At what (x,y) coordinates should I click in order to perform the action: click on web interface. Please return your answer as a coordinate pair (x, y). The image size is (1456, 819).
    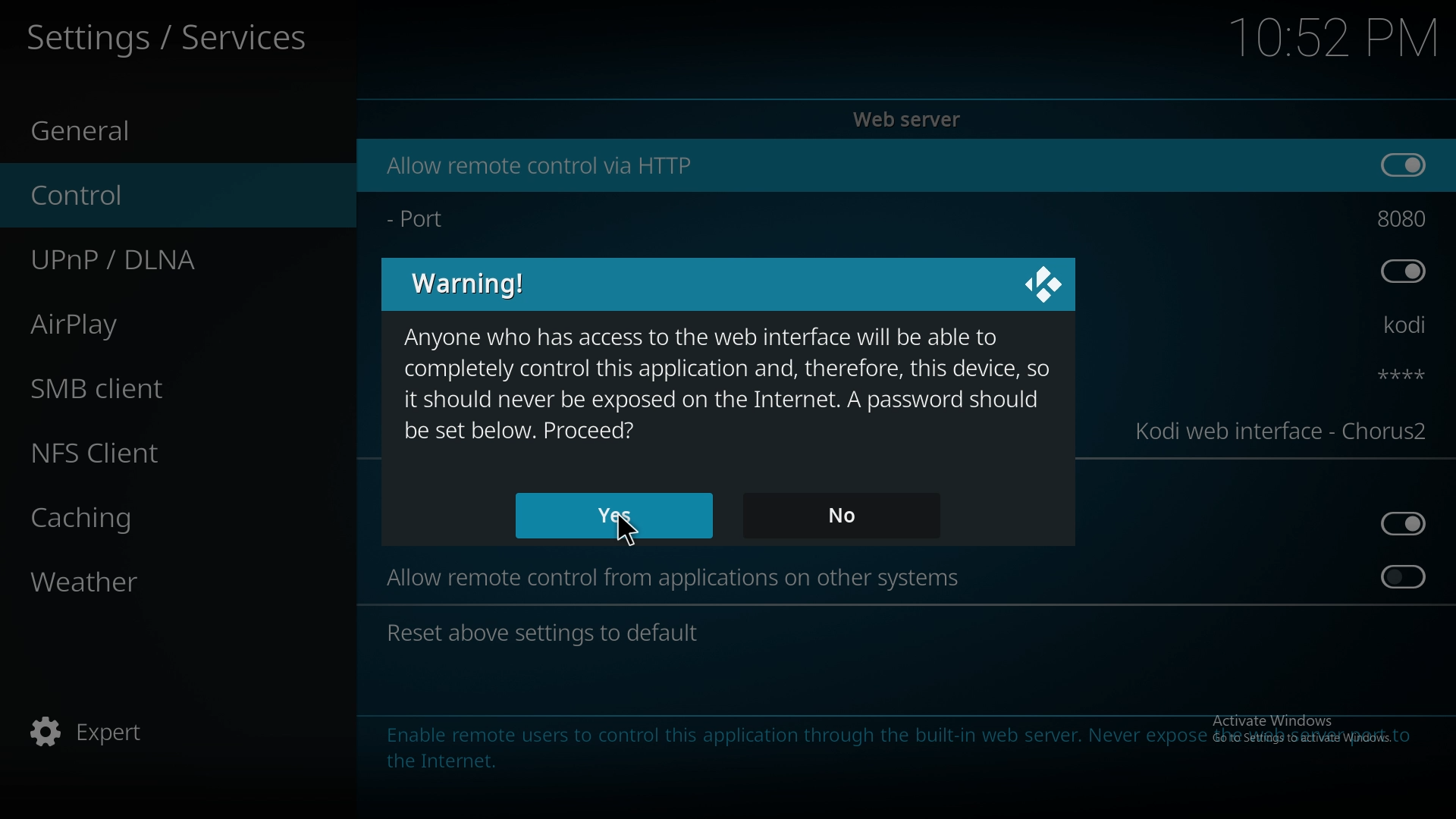
    Looking at the image, I should click on (1284, 431).